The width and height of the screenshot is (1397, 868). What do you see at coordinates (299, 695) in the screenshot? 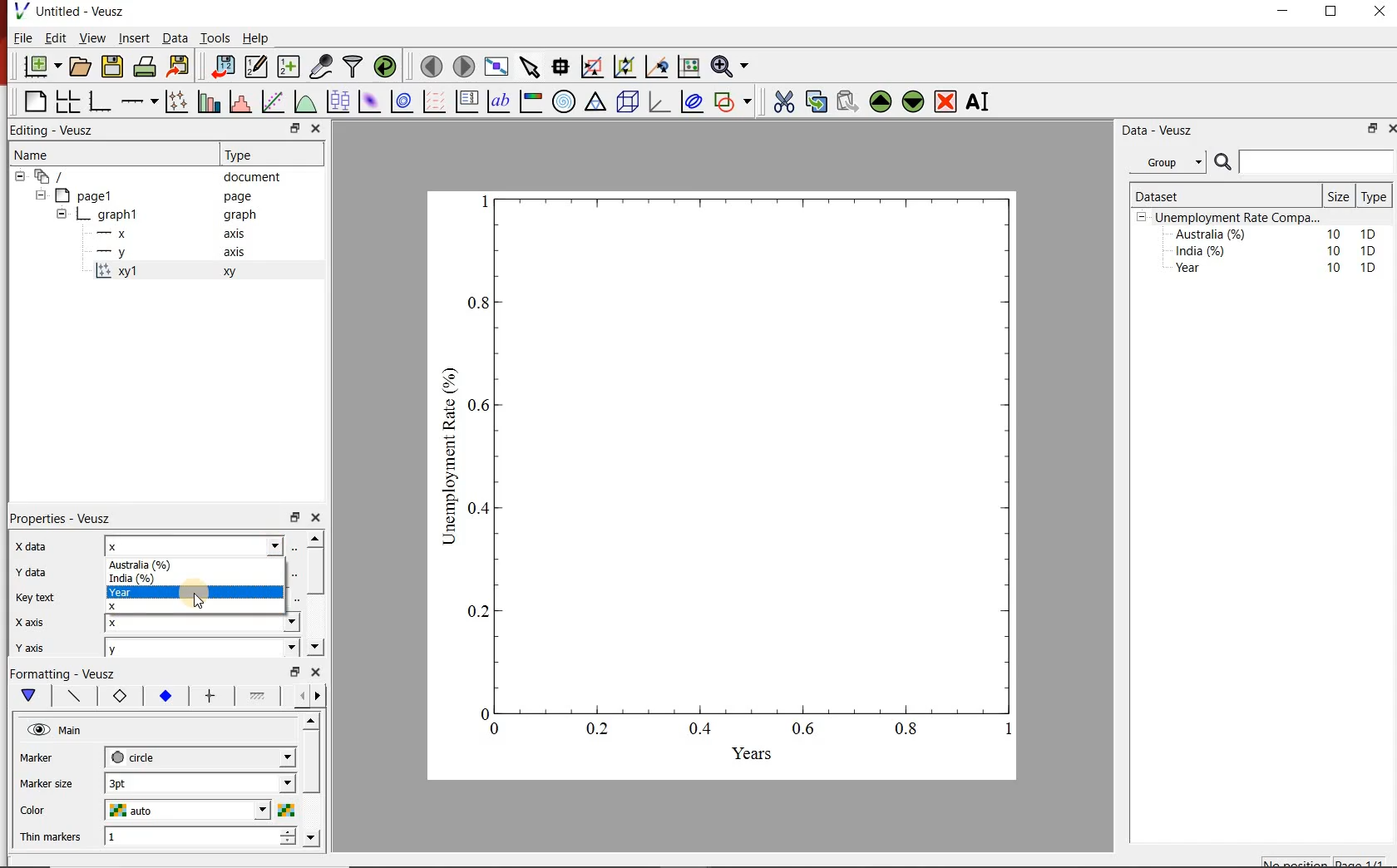
I see `more left` at bounding box center [299, 695].